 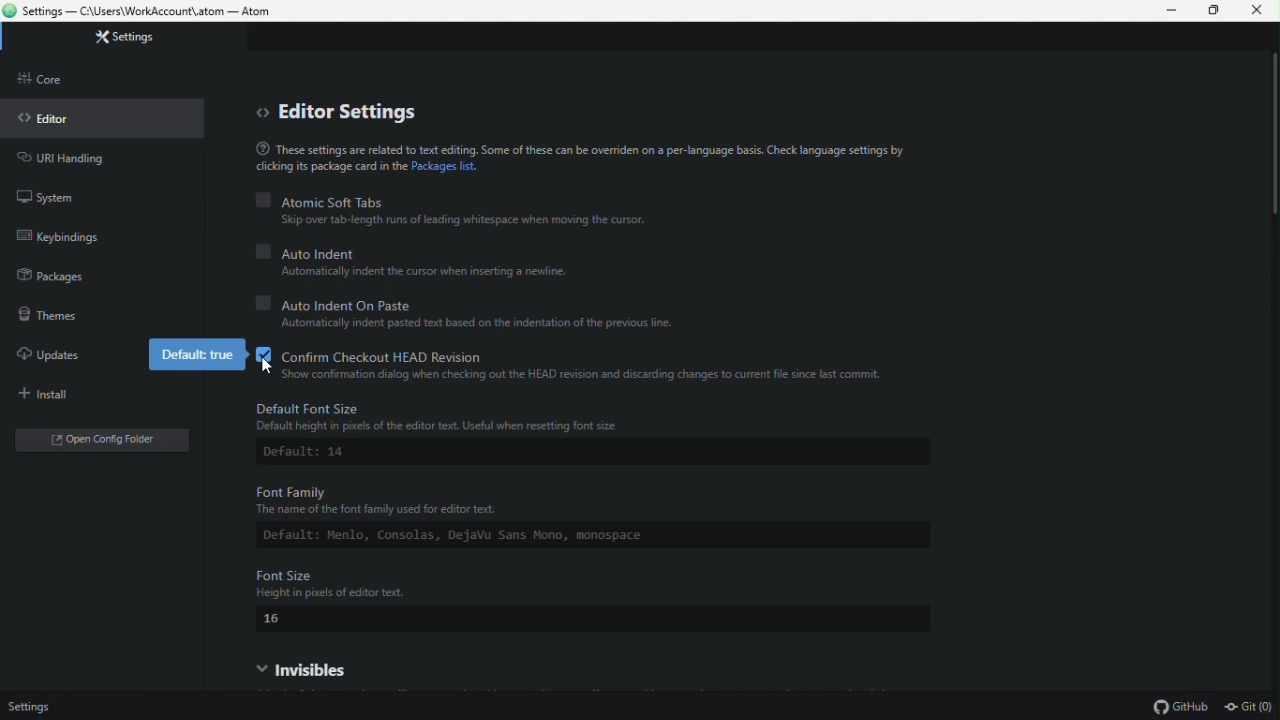 What do you see at coordinates (275, 619) in the screenshot?
I see `16` at bounding box center [275, 619].